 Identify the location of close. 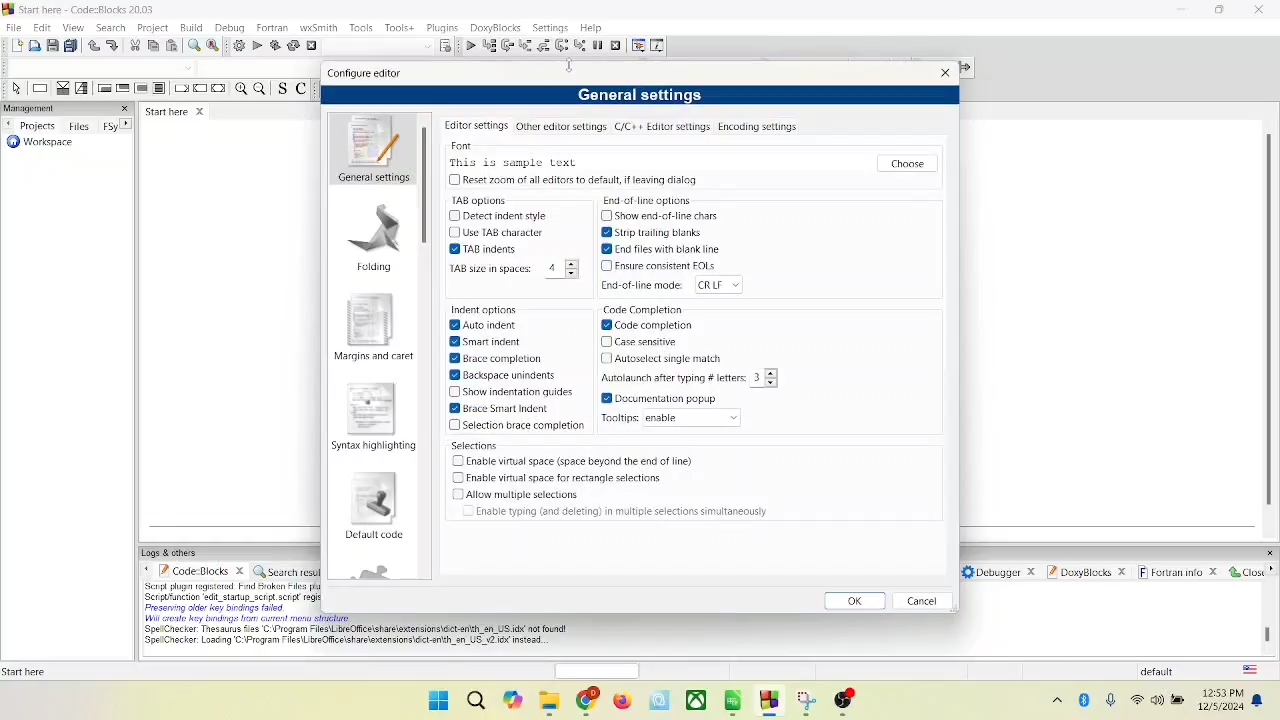
(947, 73).